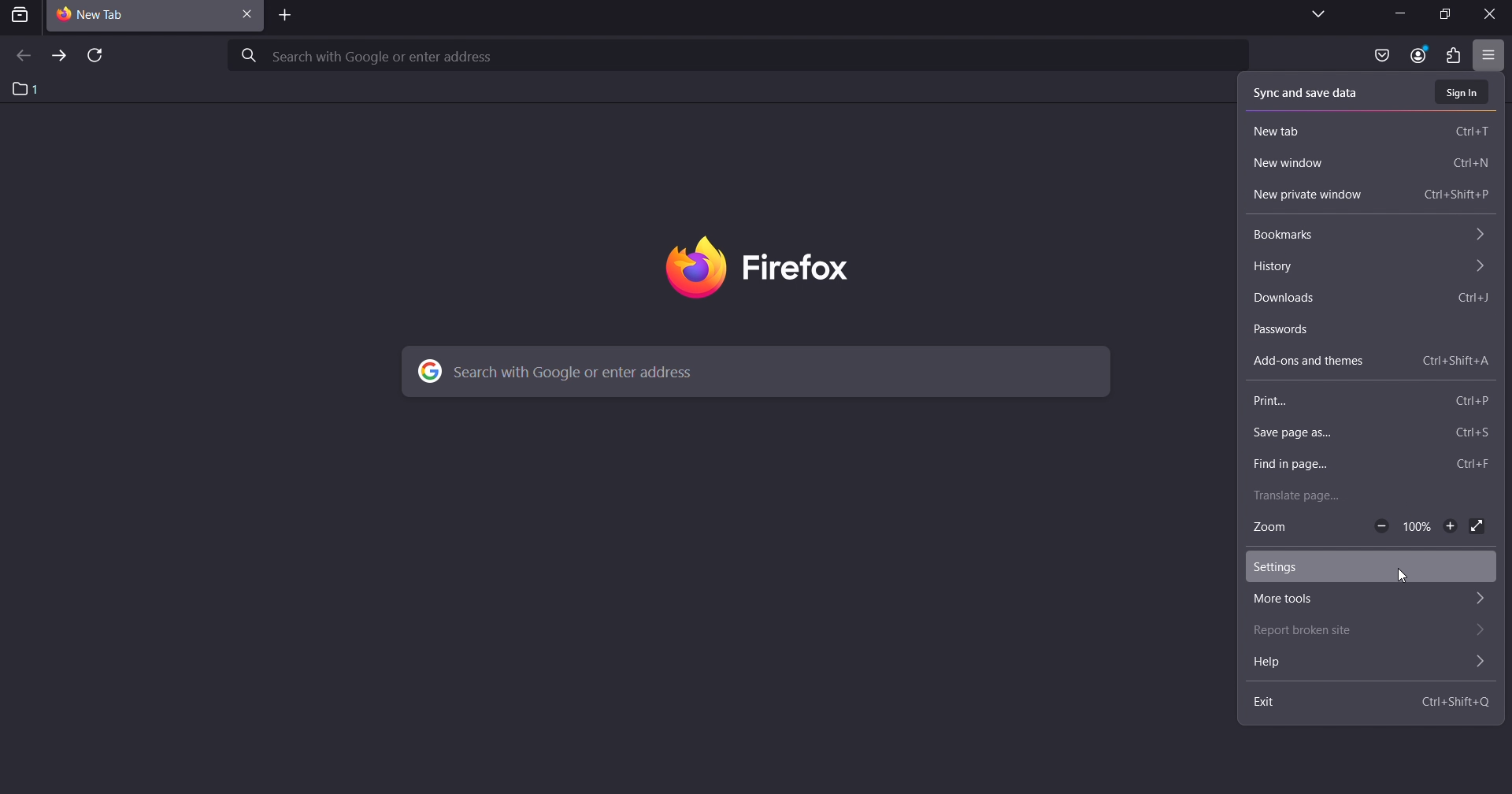  What do you see at coordinates (1418, 54) in the screenshot?
I see `account` at bounding box center [1418, 54].